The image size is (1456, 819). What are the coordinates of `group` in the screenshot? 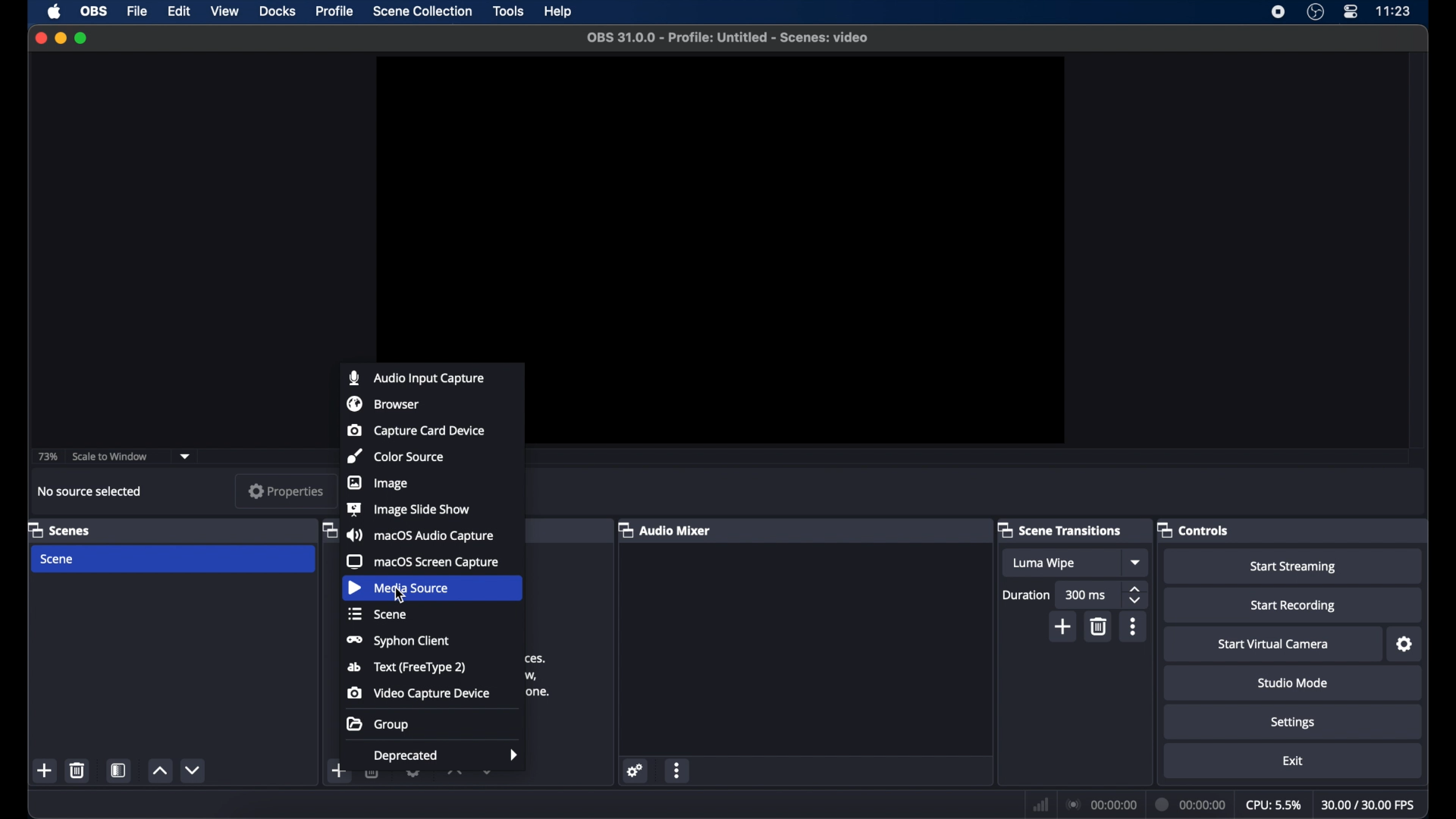 It's located at (378, 723).